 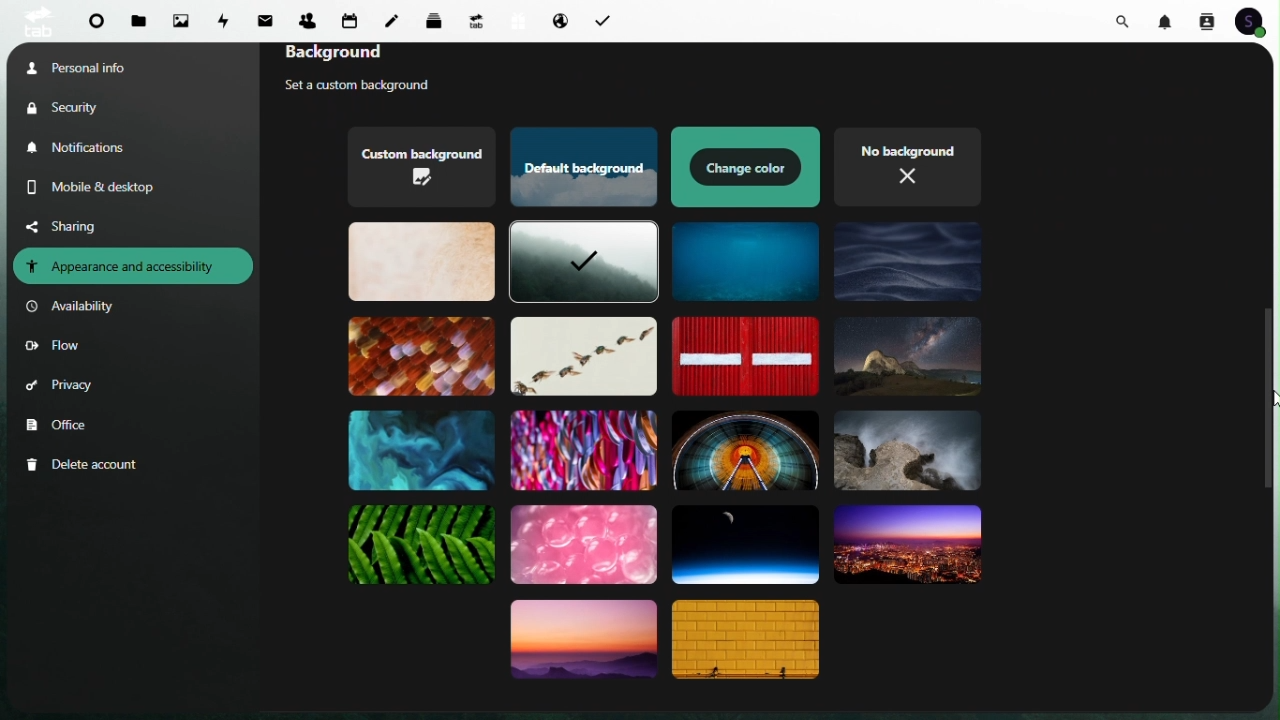 I want to click on Themes, so click(x=907, y=547).